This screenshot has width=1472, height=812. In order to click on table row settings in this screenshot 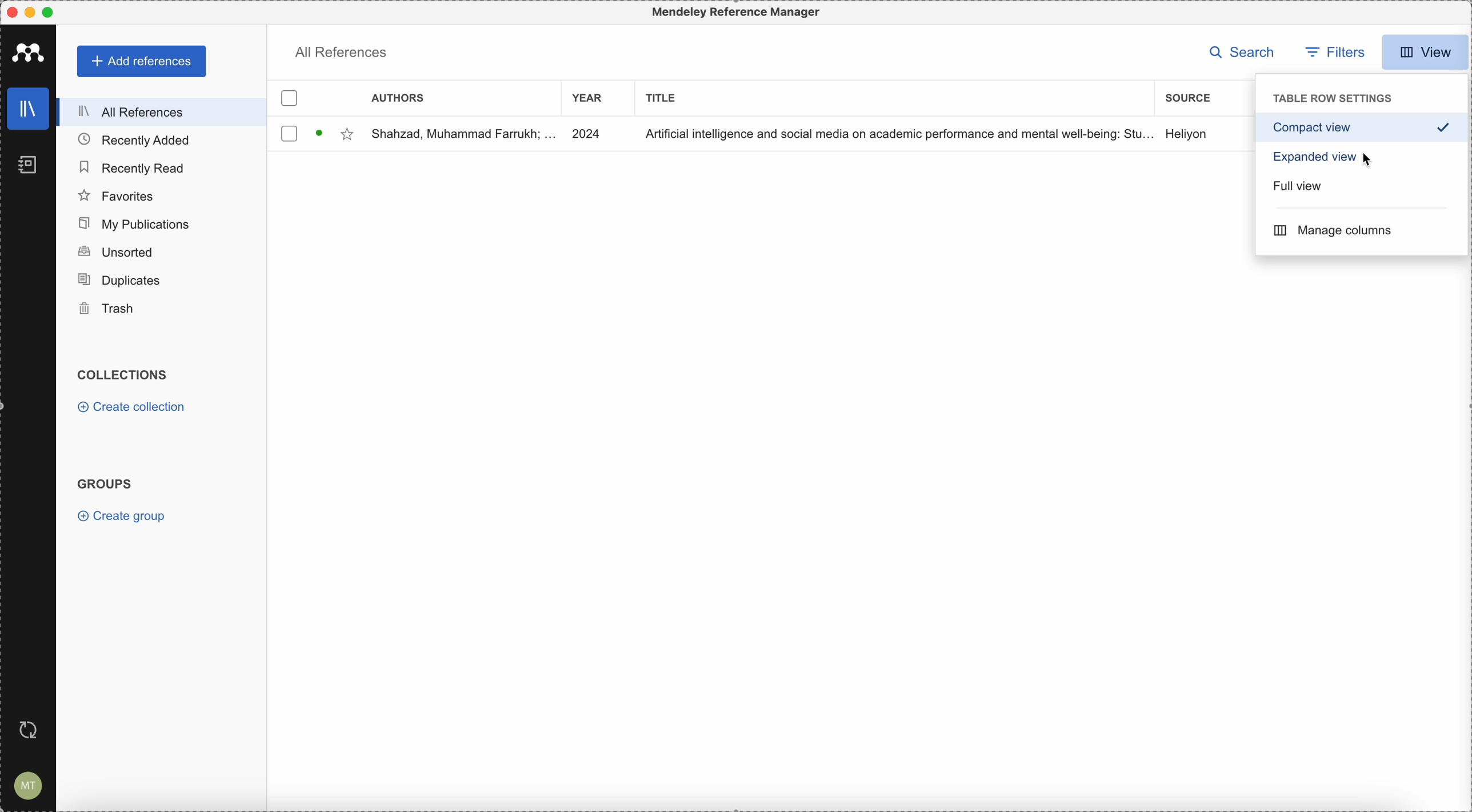, I will do `click(1330, 99)`.